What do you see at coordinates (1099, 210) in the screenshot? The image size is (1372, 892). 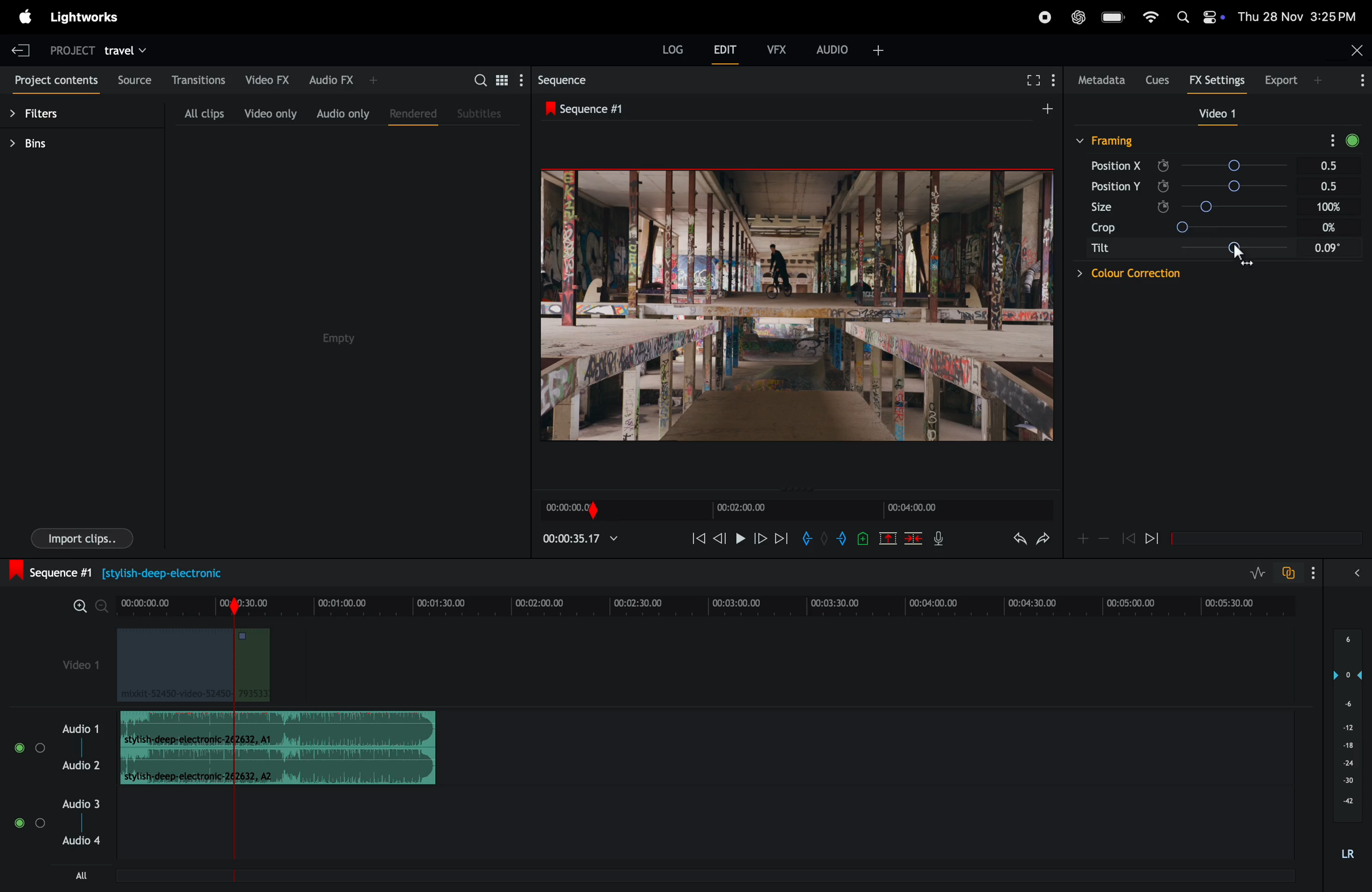 I see `size` at bounding box center [1099, 210].